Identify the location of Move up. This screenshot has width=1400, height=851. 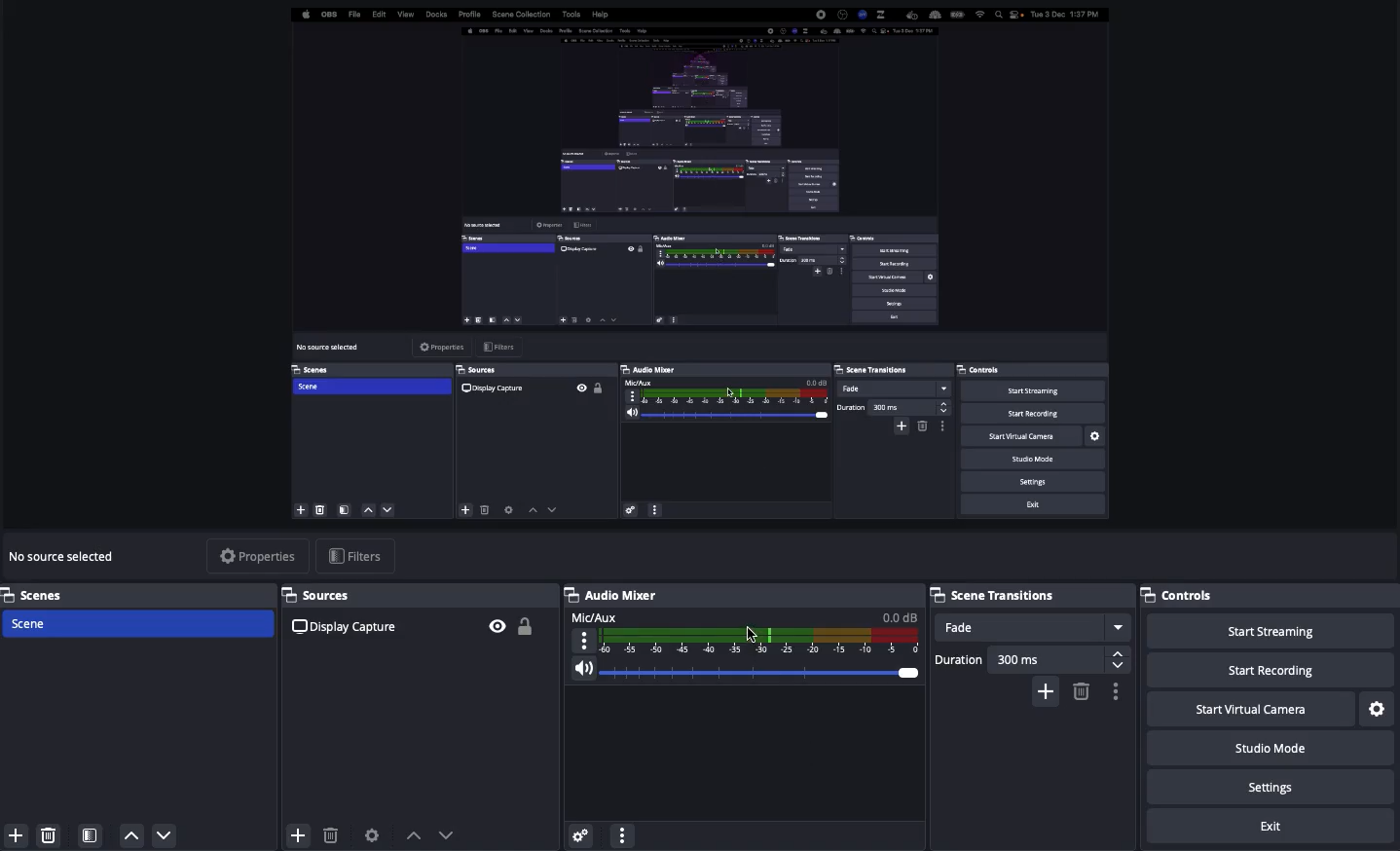
(414, 834).